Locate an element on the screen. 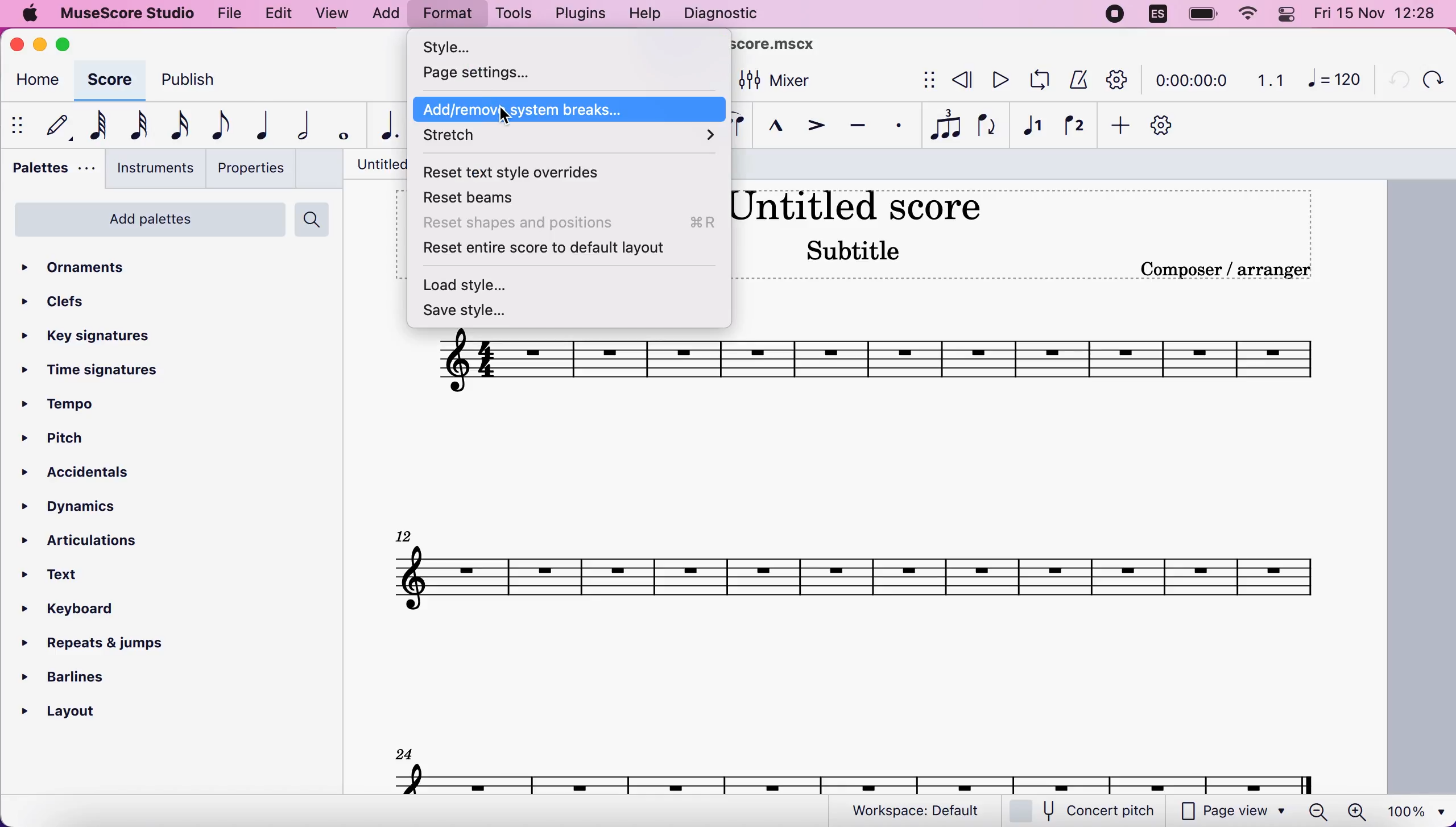 The width and height of the screenshot is (1456, 827). load style is located at coordinates (486, 282).